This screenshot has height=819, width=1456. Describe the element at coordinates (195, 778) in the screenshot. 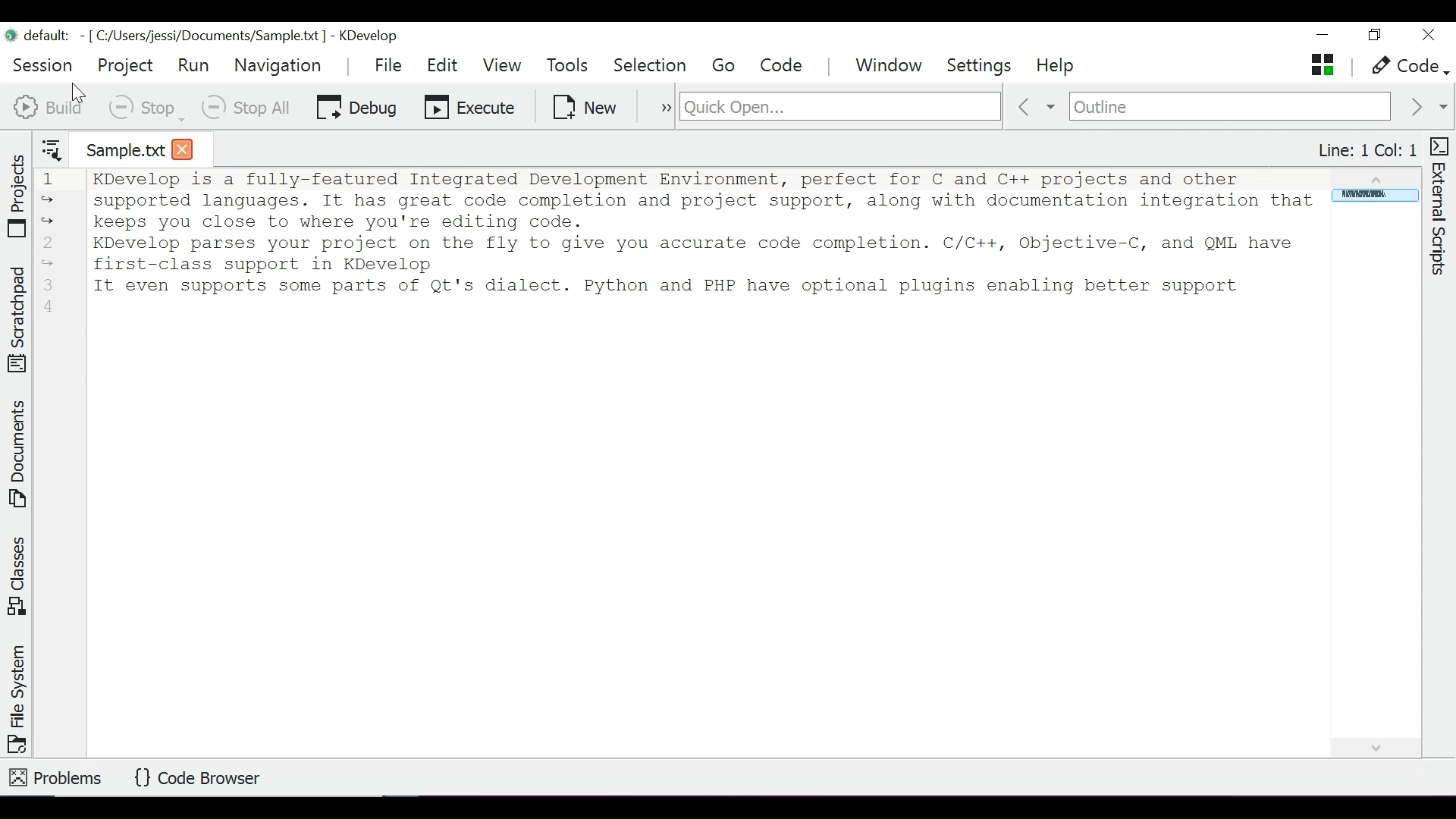

I see `Code Browser` at that location.